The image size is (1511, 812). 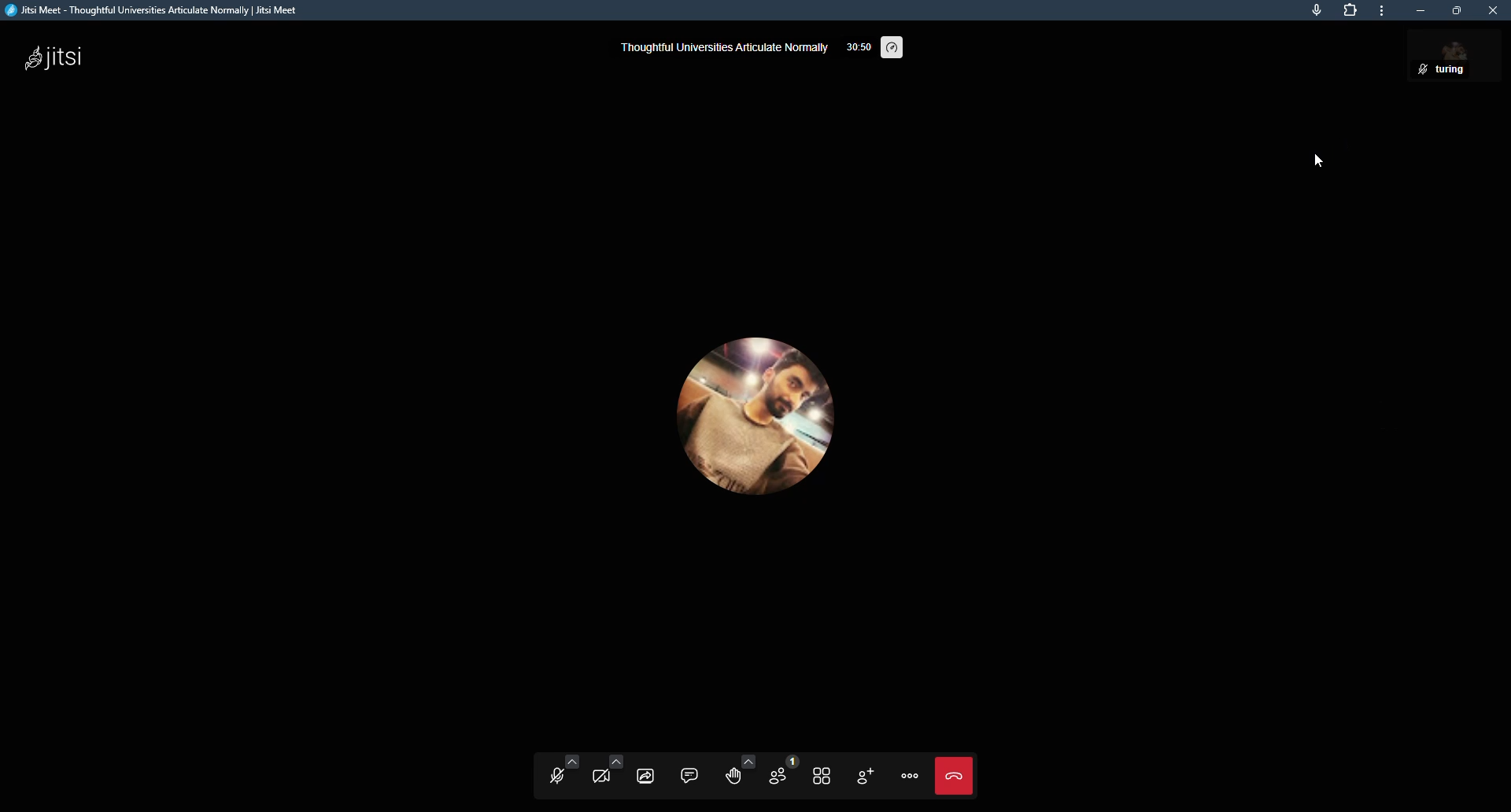 What do you see at coordinates (1495, 10) in the screenshot?
I see `close` at bounding box center [1495, 10].